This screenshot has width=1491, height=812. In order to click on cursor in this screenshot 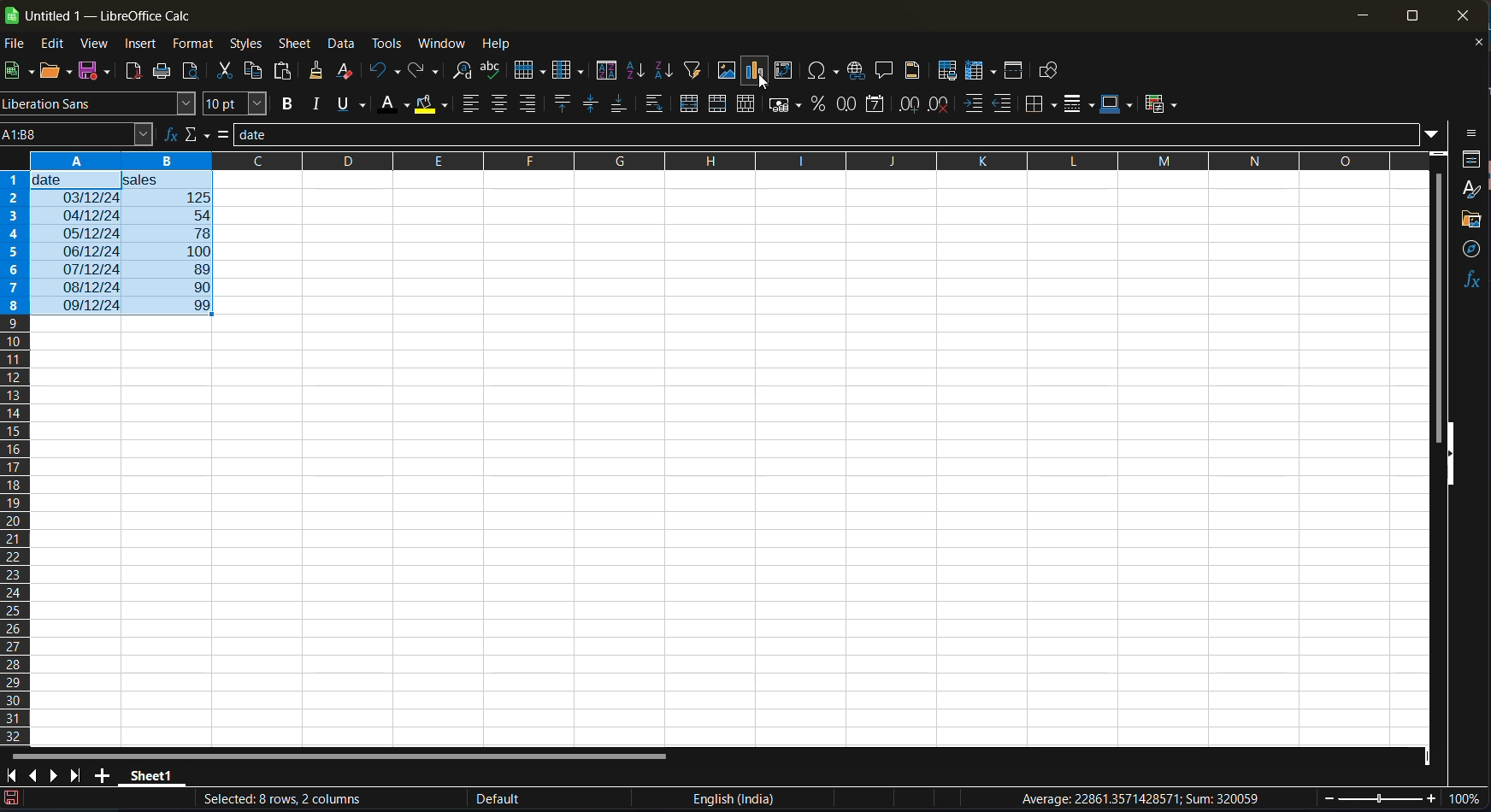, I will do `click(765, 83)`.